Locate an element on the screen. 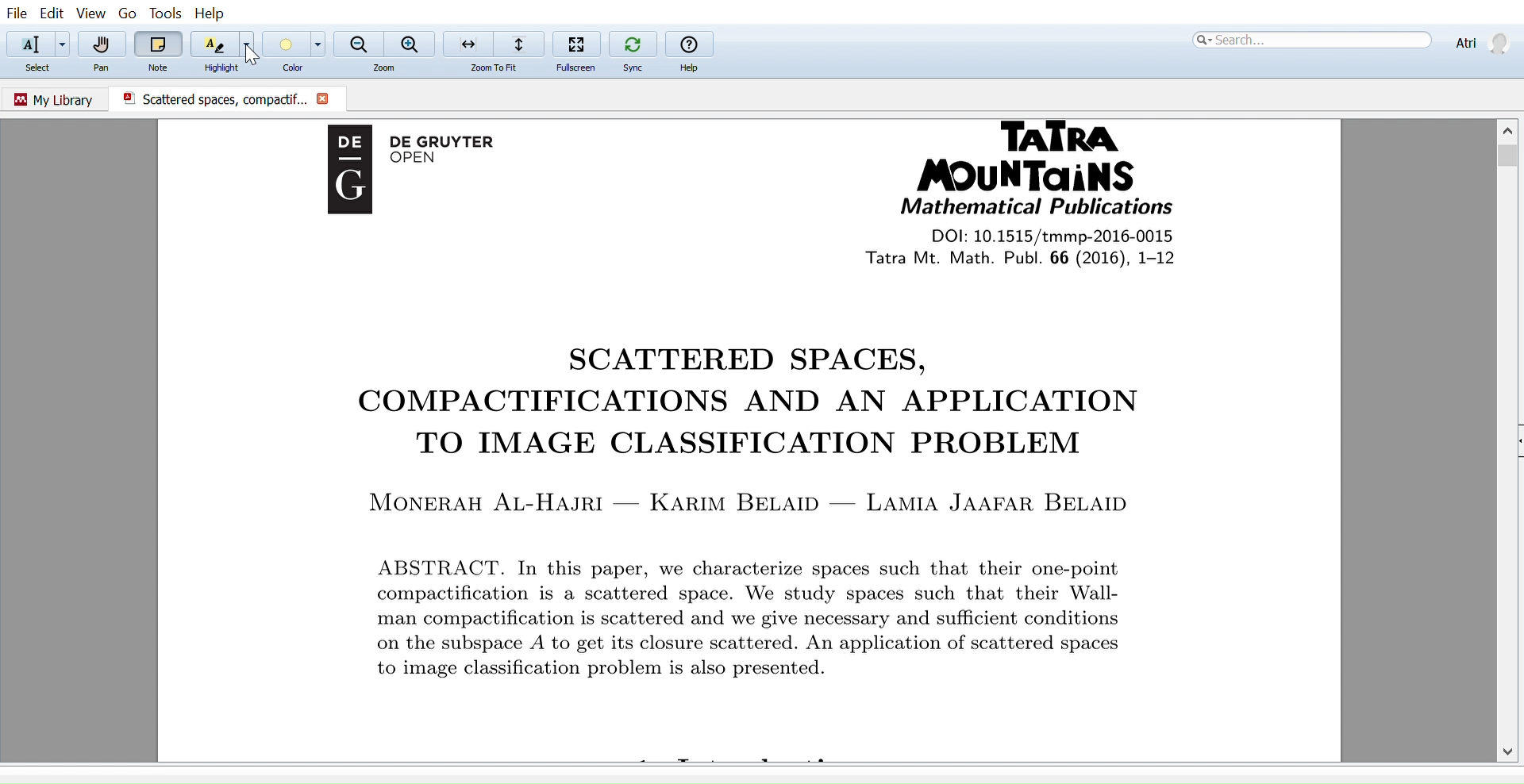  to image classificaition problem is also presented is located at coordinates (598, 669).